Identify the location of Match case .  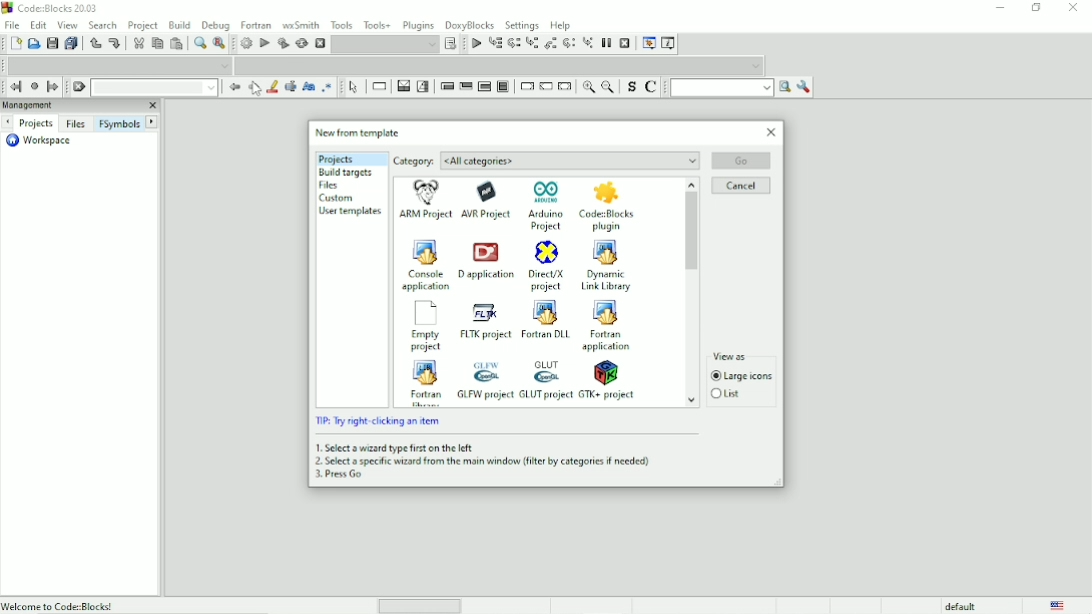
(309, 87).